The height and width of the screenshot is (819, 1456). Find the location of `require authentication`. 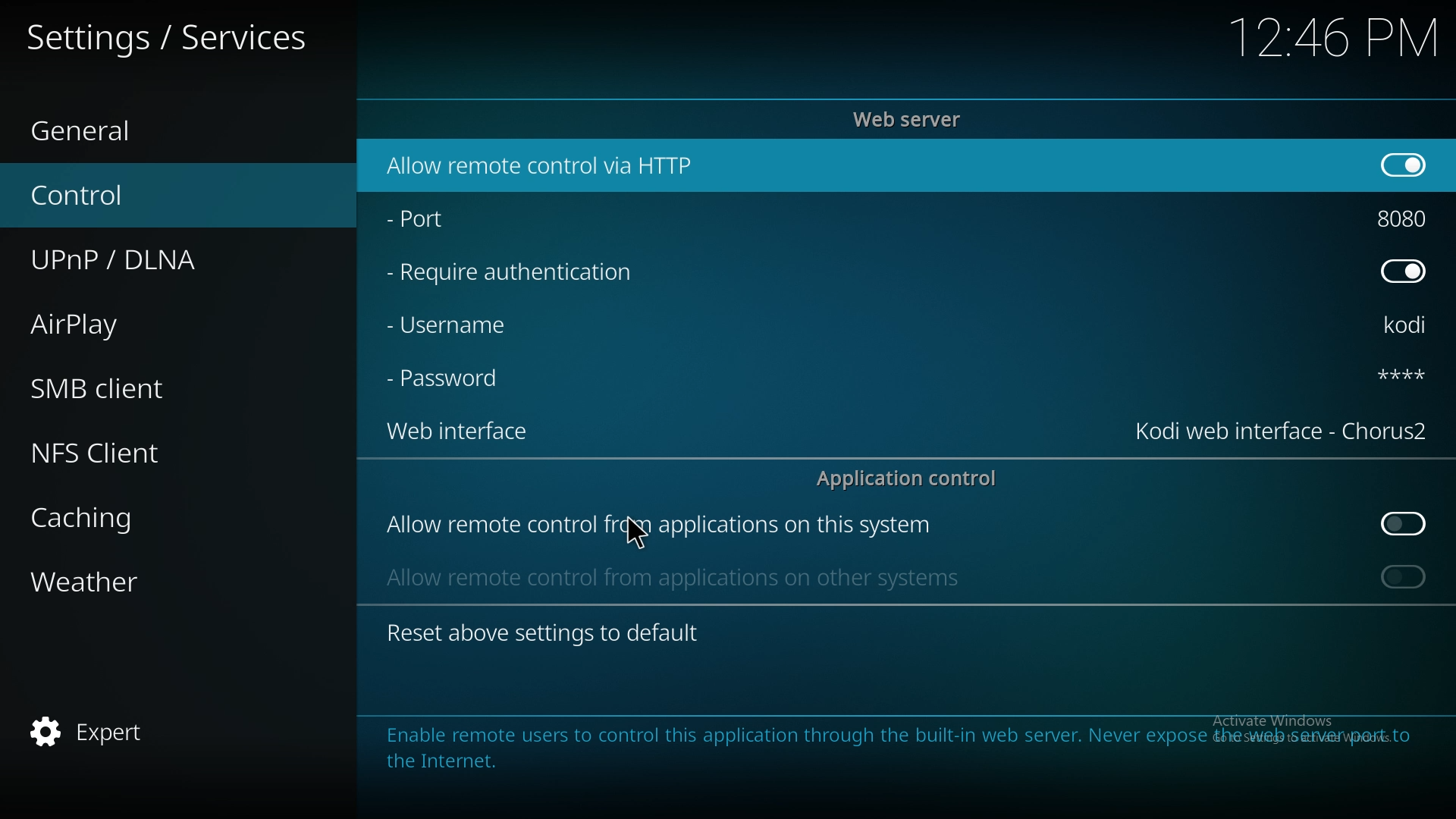

require authentication is located at coordinates (512, 273).